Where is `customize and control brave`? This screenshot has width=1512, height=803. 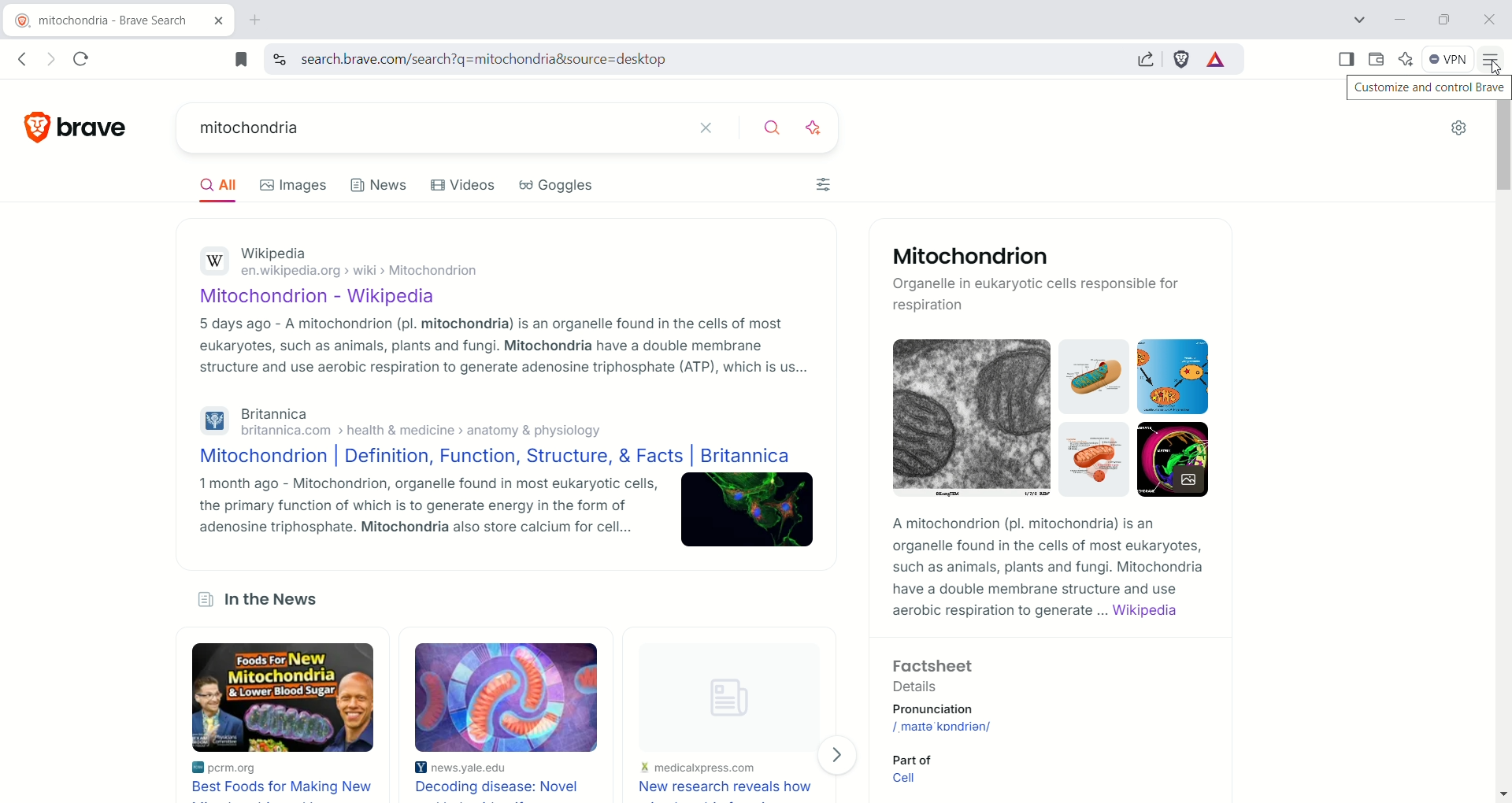 customize and control brave is located at coordinates (1426, 87).